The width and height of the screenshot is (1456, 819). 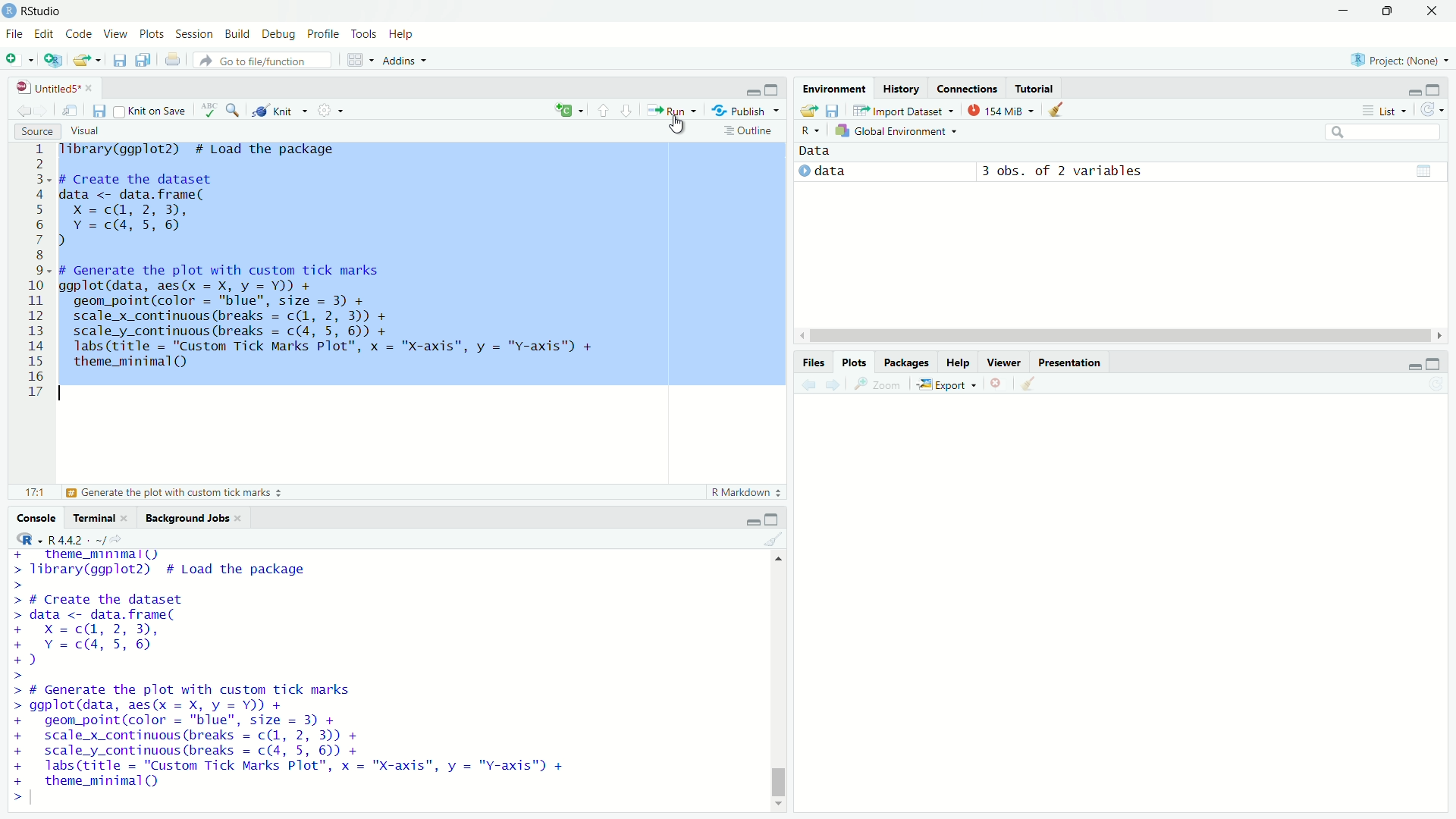 I want to click on background jobs, so click(x=189, y=518).